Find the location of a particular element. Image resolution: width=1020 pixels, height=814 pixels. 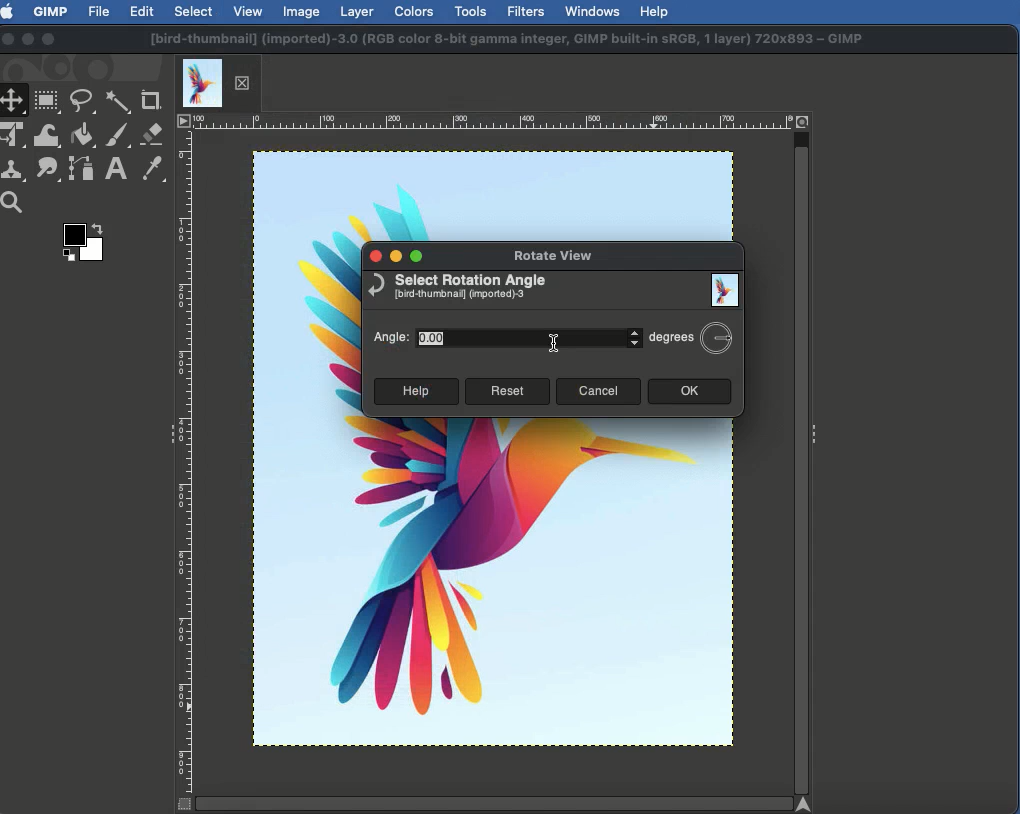

Maximize is located at coordinates (48, 41).